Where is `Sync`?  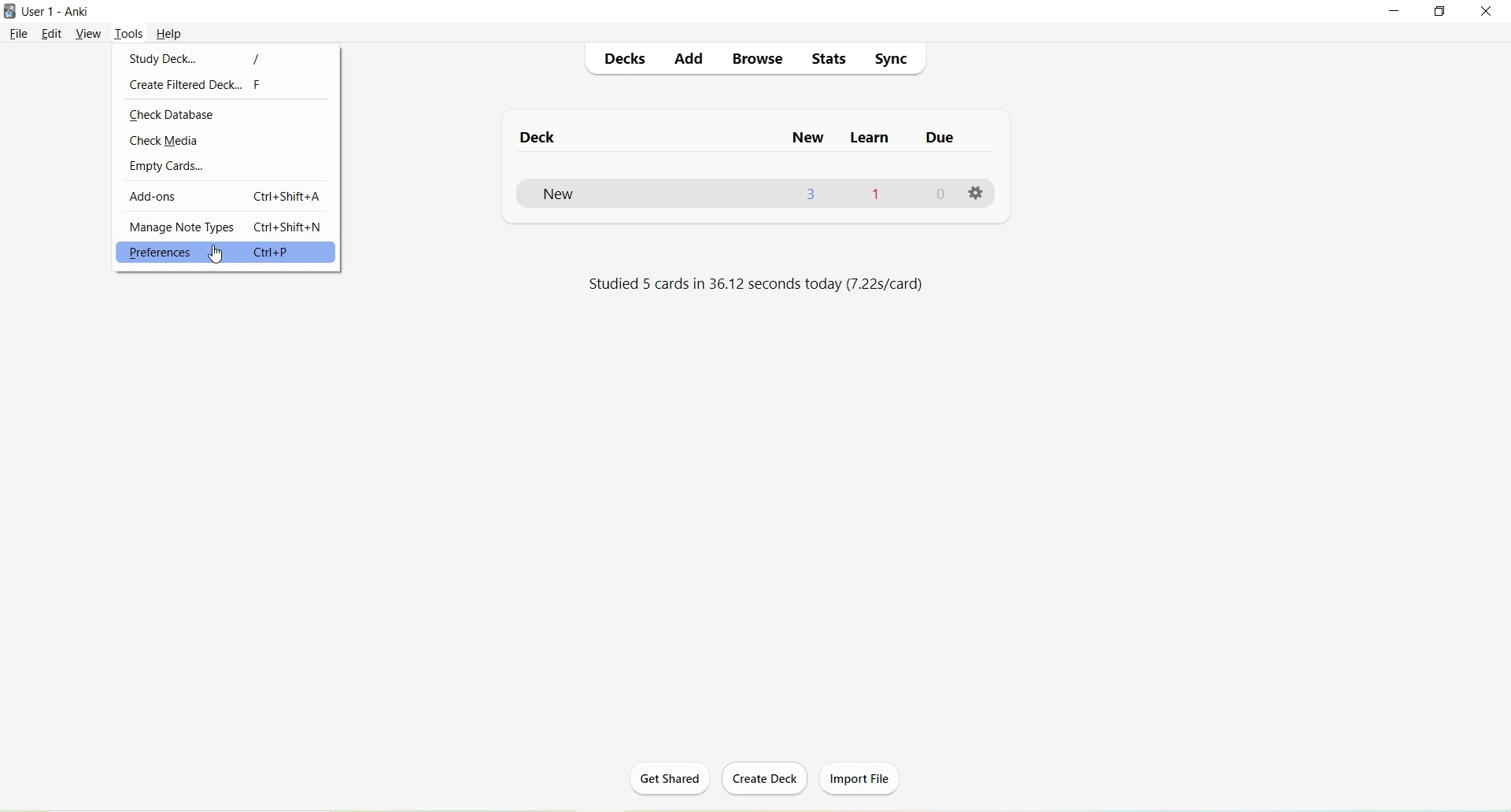
Sync is located at coordinates (893, 59).